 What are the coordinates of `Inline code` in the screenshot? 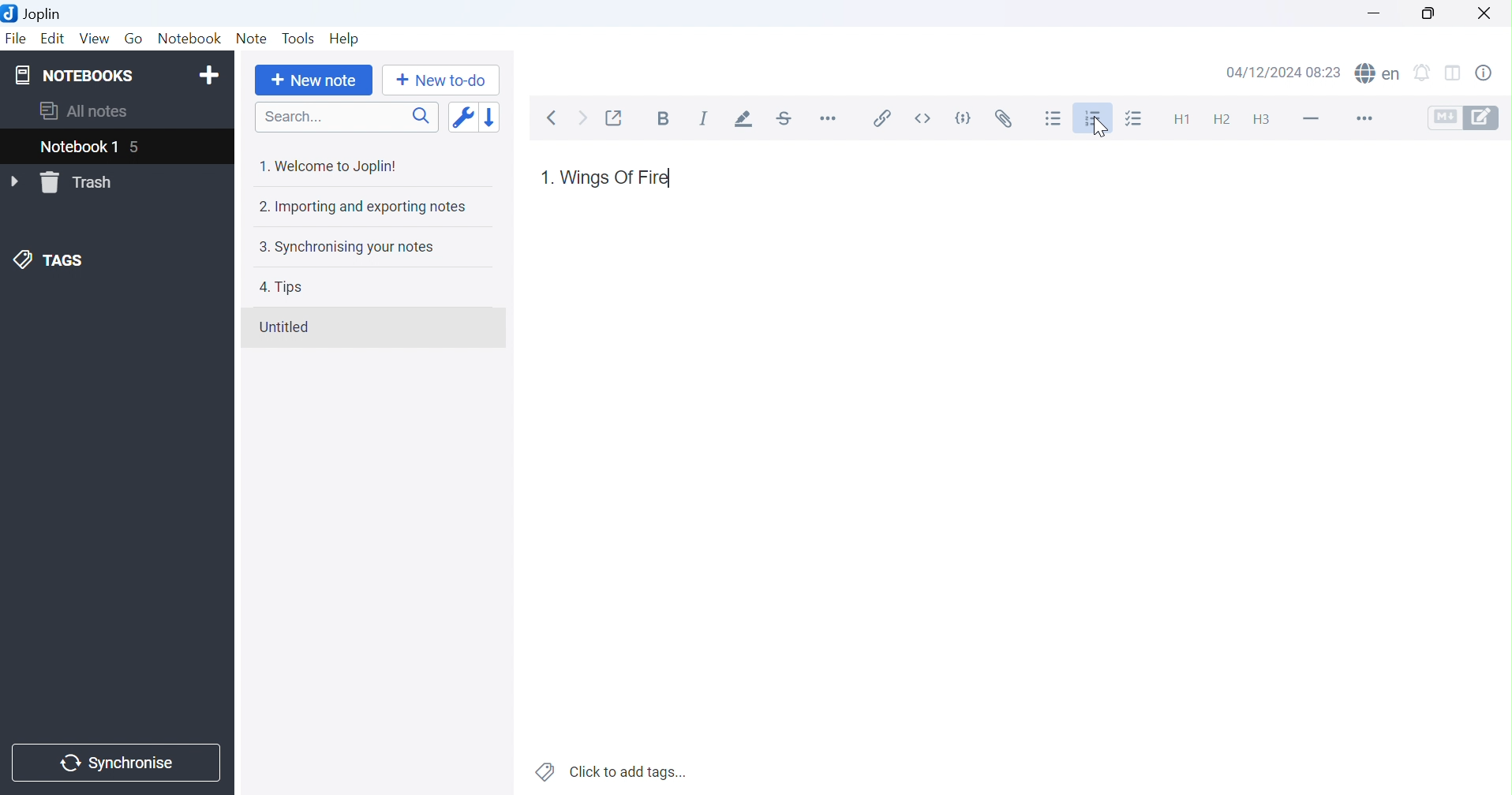 It's located at (922, 118).